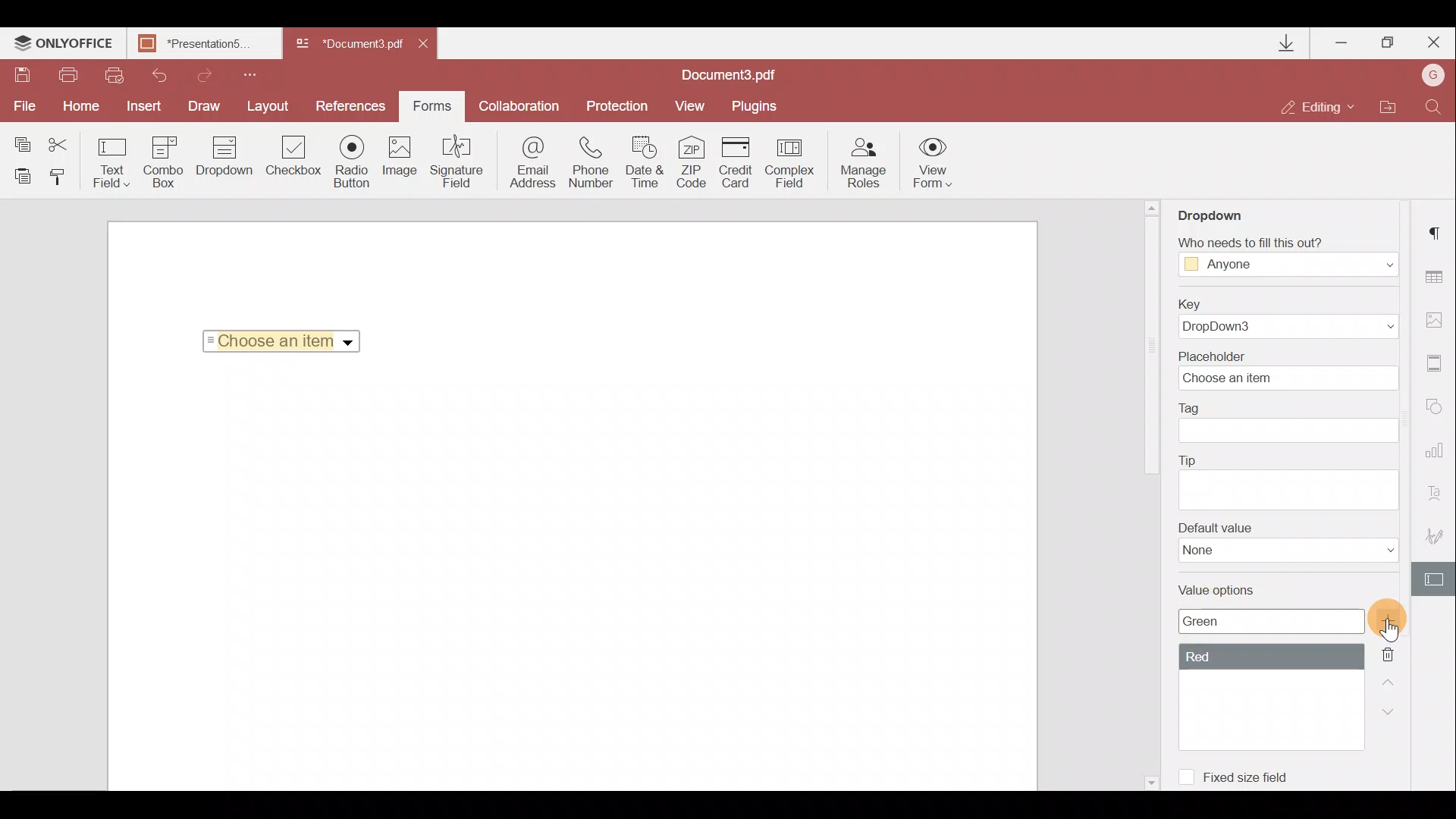 This screenshot has height=819, width=1456. Describe the element at coordinates (1441, 277) in the screenshot. I see `Table settings` at that location.